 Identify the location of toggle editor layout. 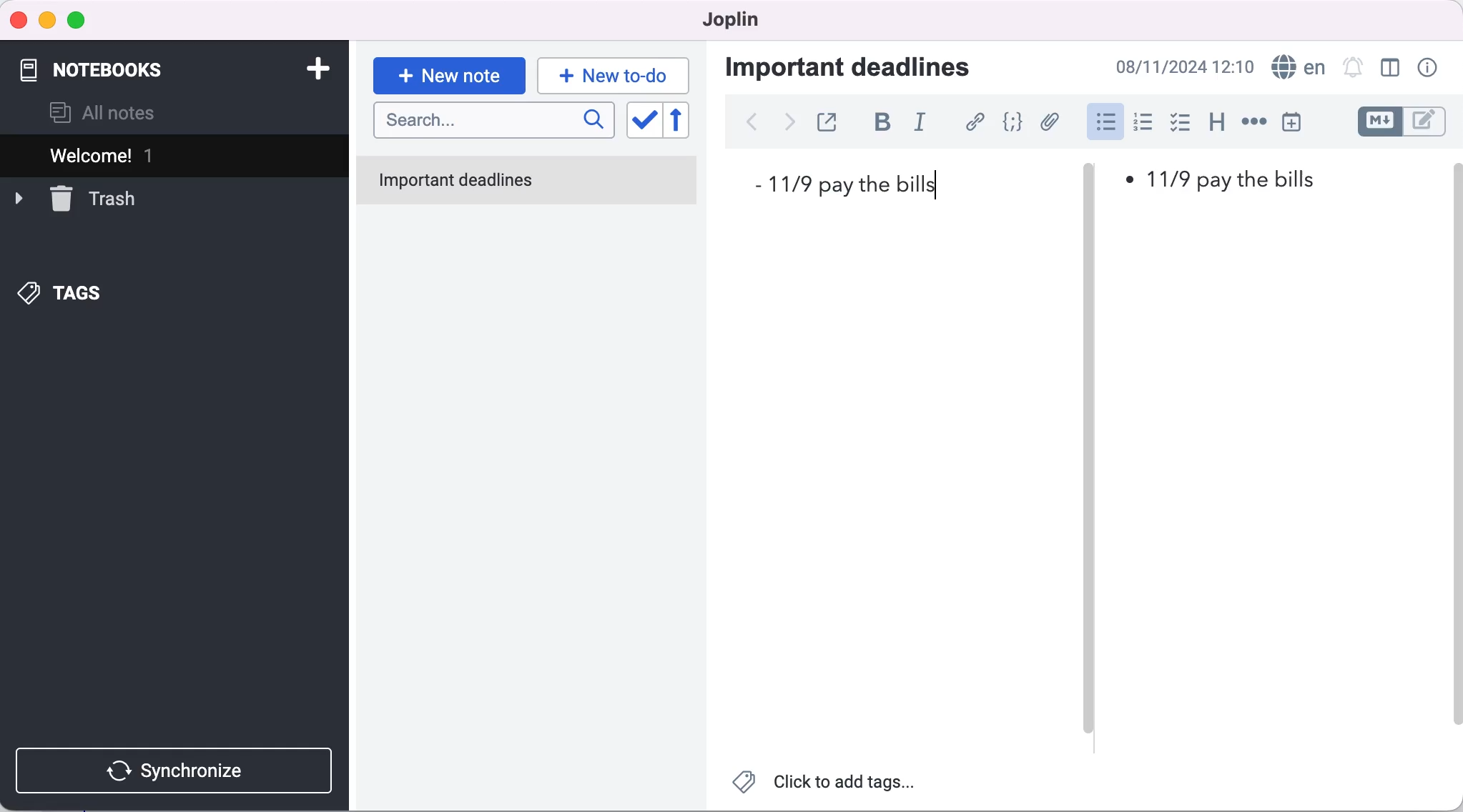
(1387, 69).